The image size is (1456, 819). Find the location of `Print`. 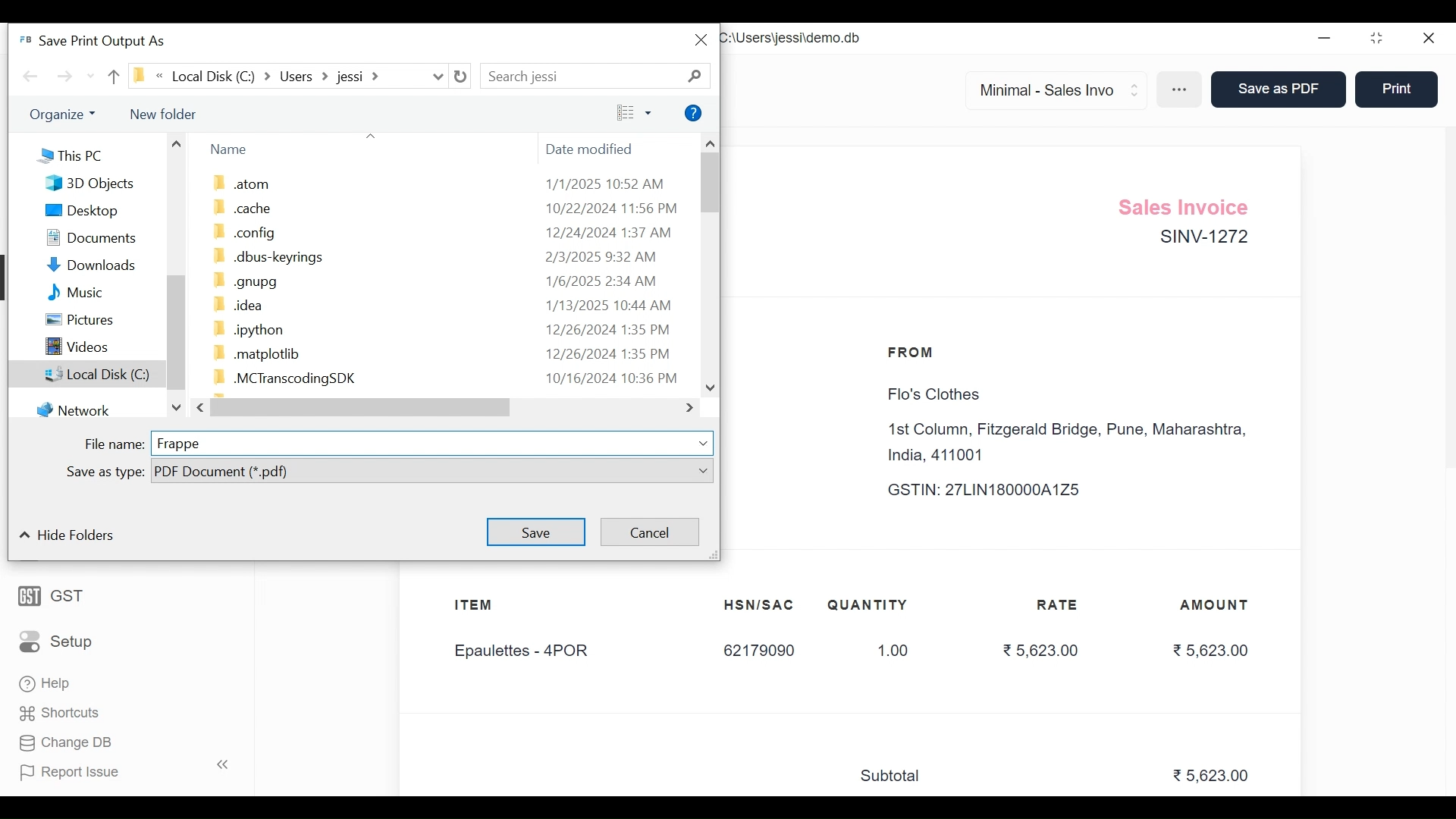

Print is located at coordinates (1395, 88).